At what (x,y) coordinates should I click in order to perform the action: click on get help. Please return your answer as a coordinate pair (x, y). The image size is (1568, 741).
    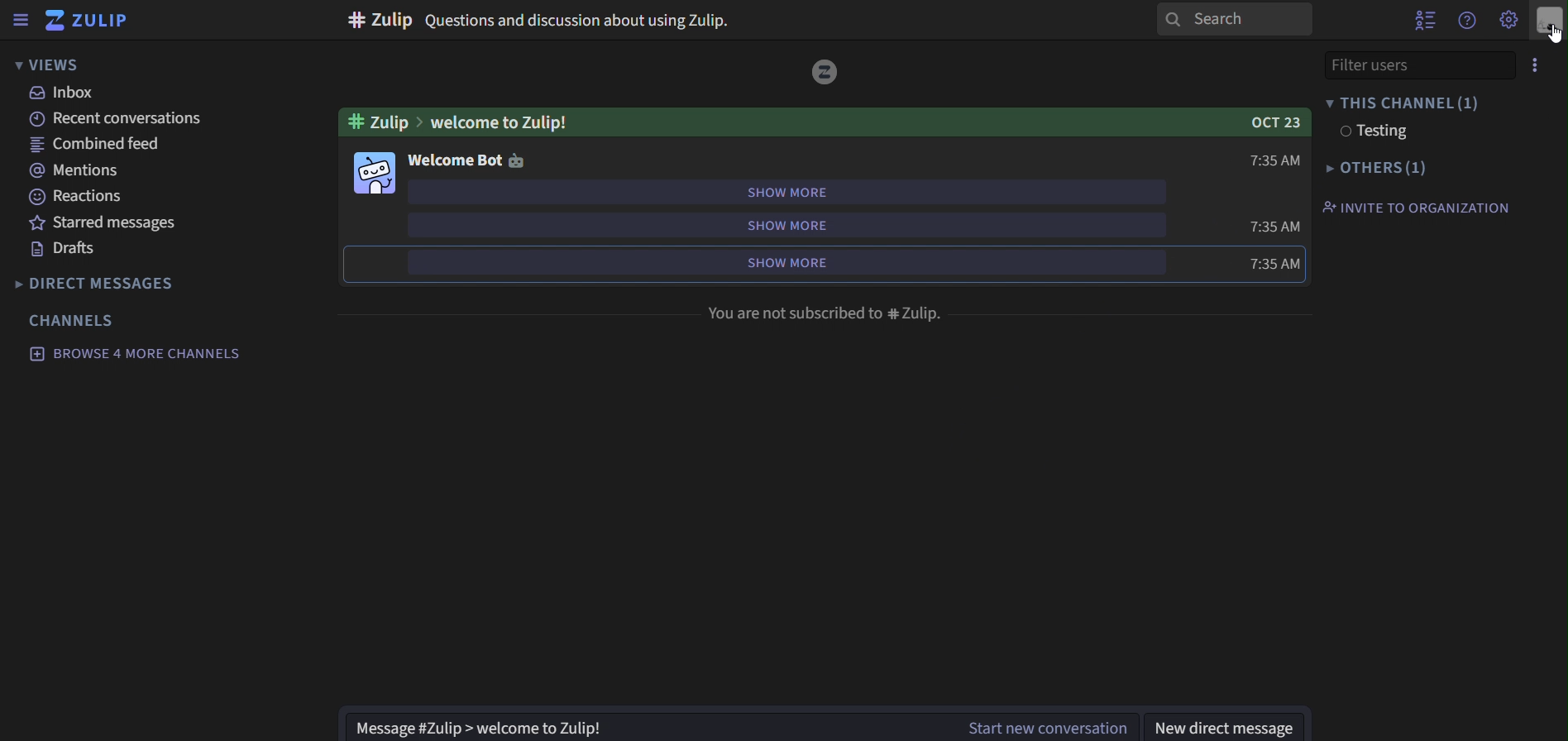
    Looking at the image, I should click on (1469, 21).